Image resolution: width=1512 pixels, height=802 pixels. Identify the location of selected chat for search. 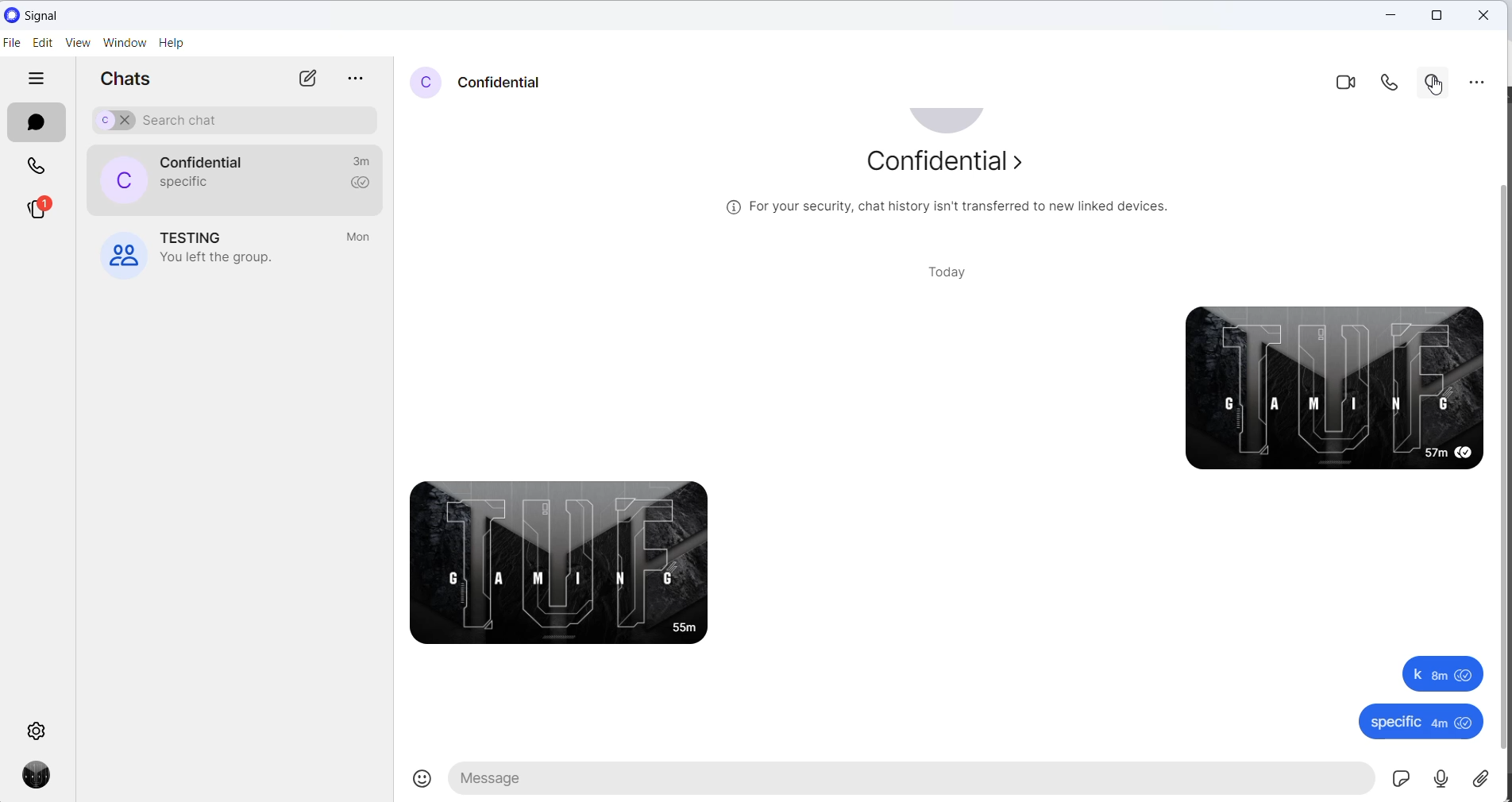
(108, 121).